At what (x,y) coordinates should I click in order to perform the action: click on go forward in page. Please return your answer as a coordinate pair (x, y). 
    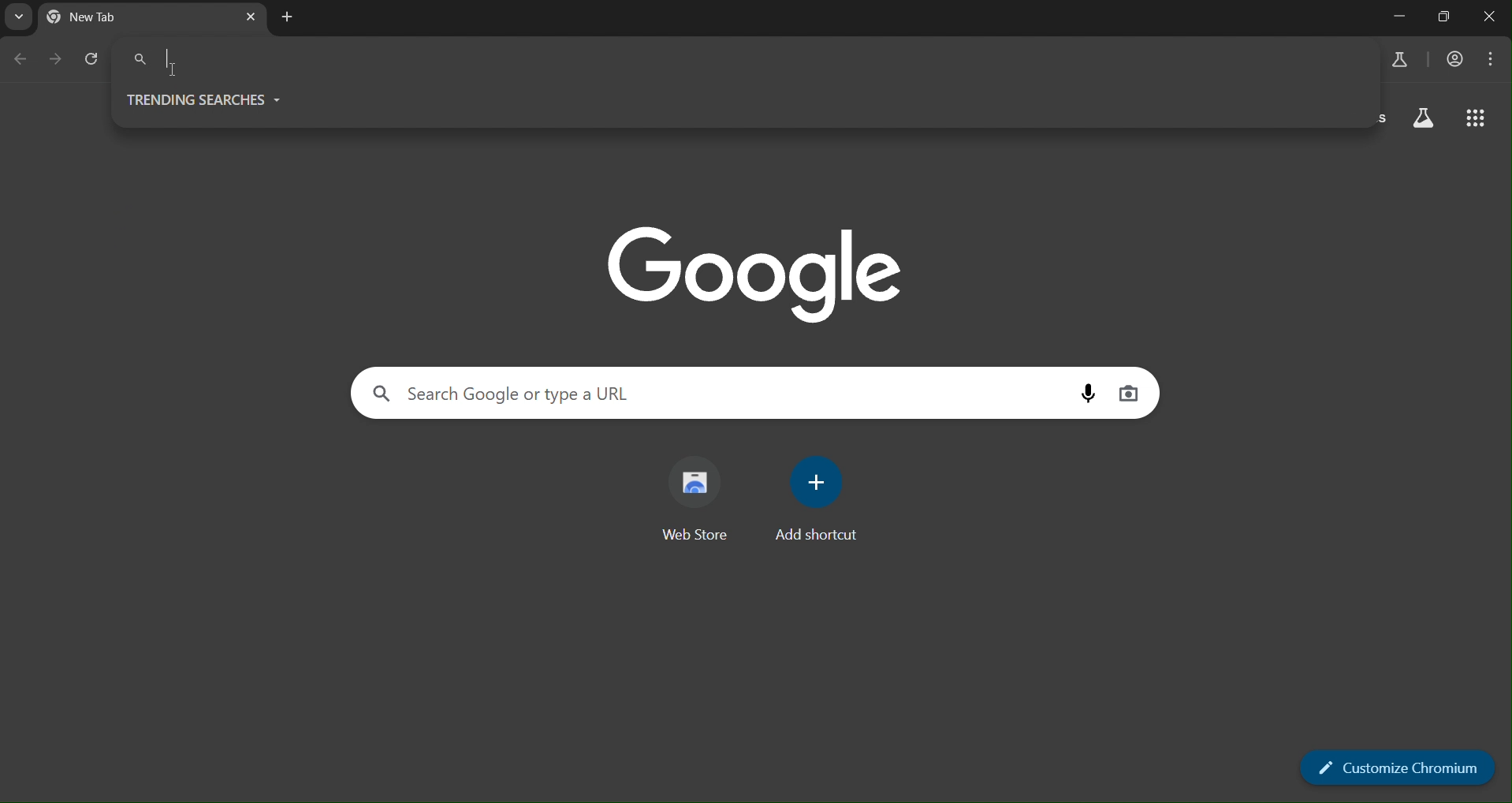
    Looking at the image, I should click on (57, 60).